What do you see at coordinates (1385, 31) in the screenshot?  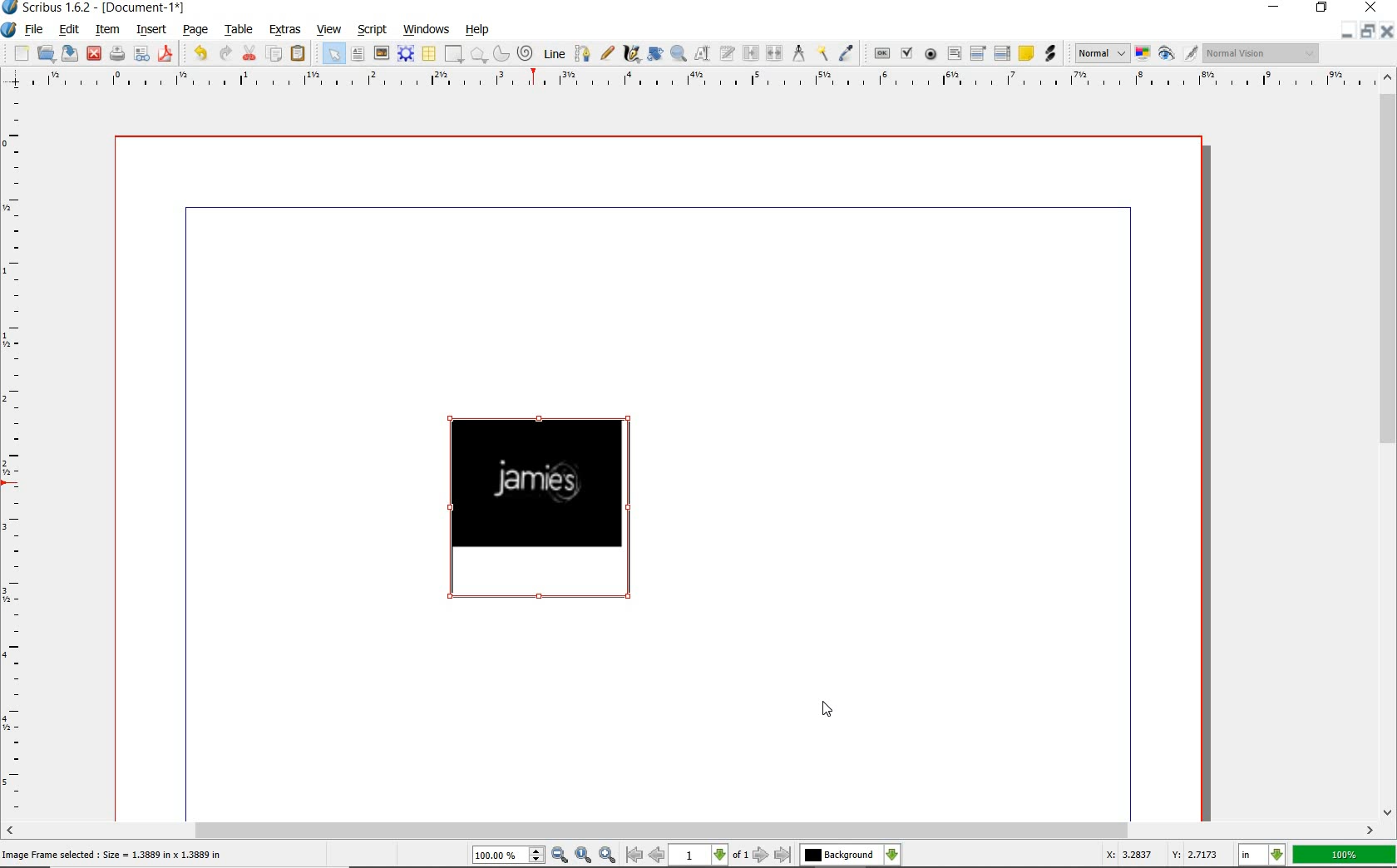 I see `CLOSE` at bounding box center [1385, 31].